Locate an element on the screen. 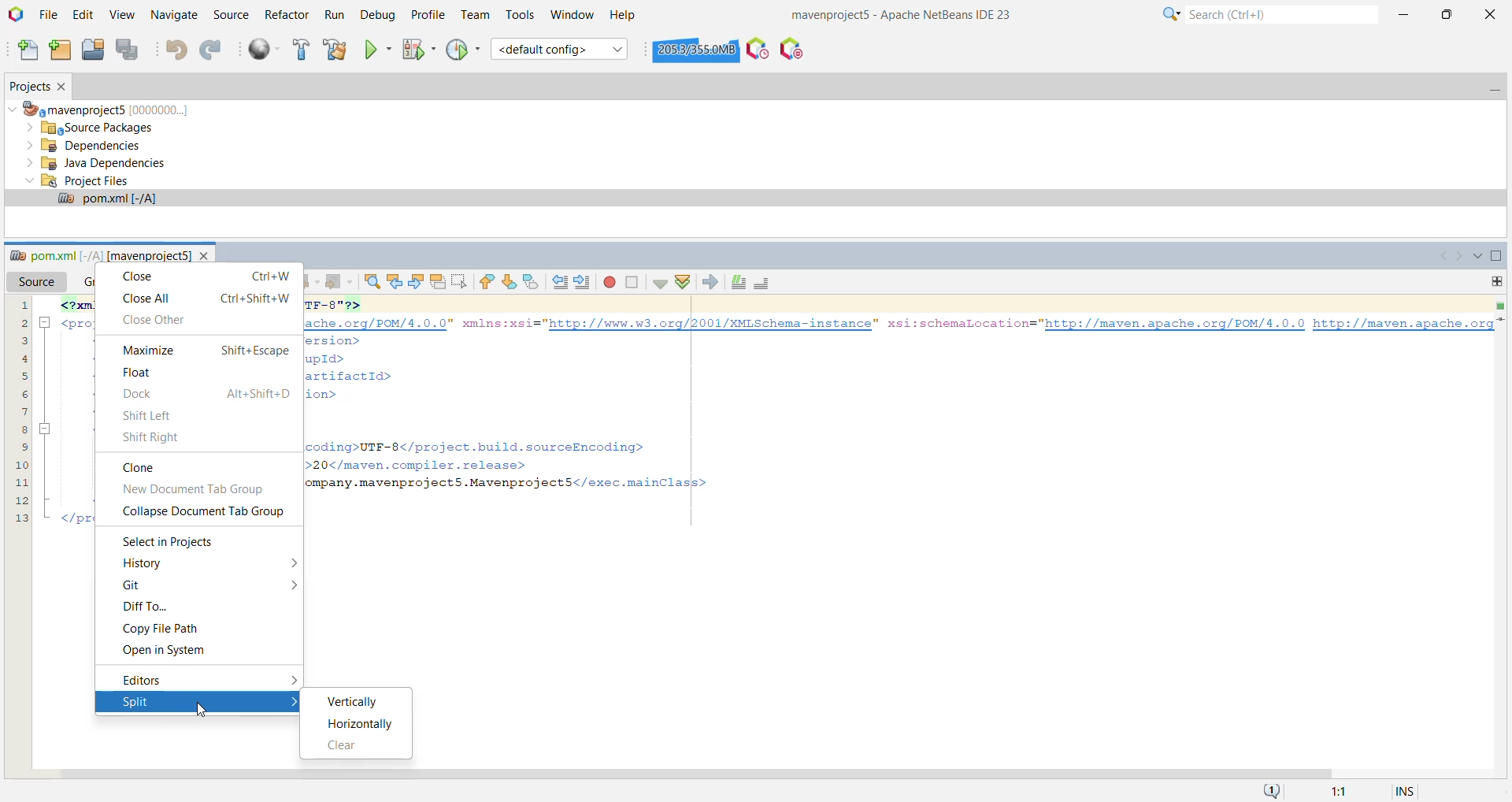 This screenshot has width=1512, height=802. XSL Transformation is located at coordinates (709, 282).